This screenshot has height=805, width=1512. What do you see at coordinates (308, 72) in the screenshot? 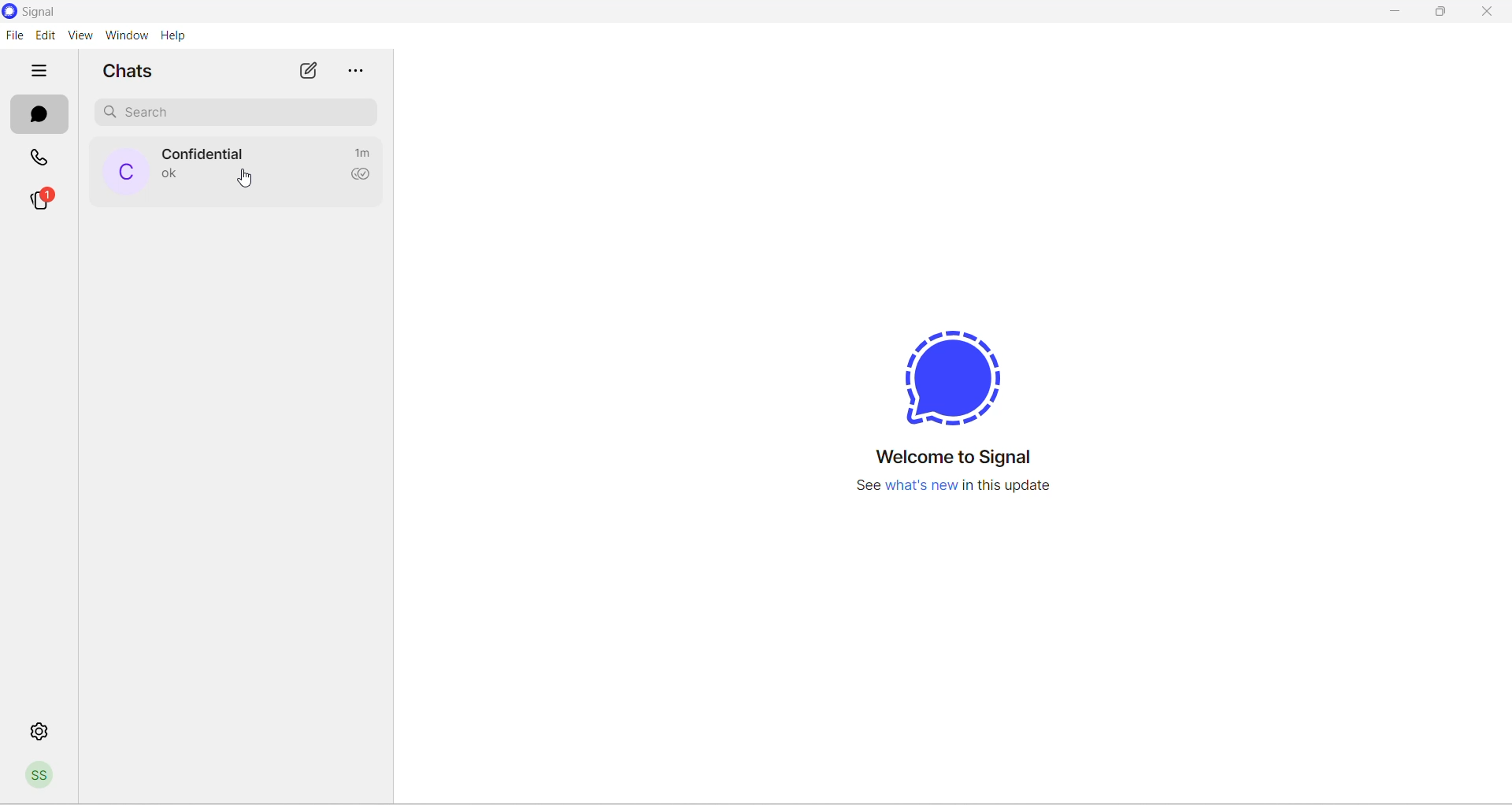
I see `new chat` at bounding box center [308, 72].